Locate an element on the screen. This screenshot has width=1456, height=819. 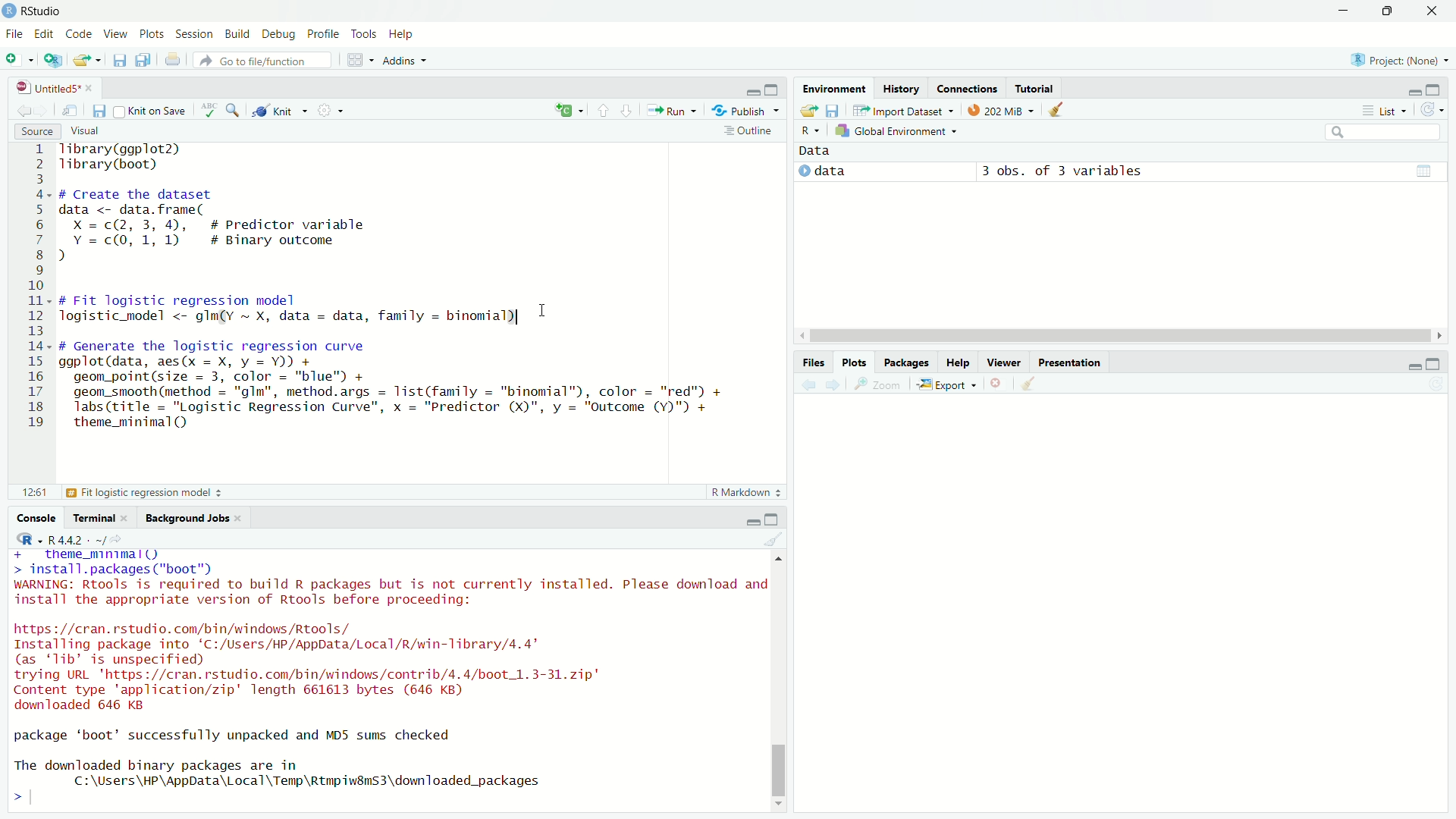
Grid view is located at coordinates (1424, 171).